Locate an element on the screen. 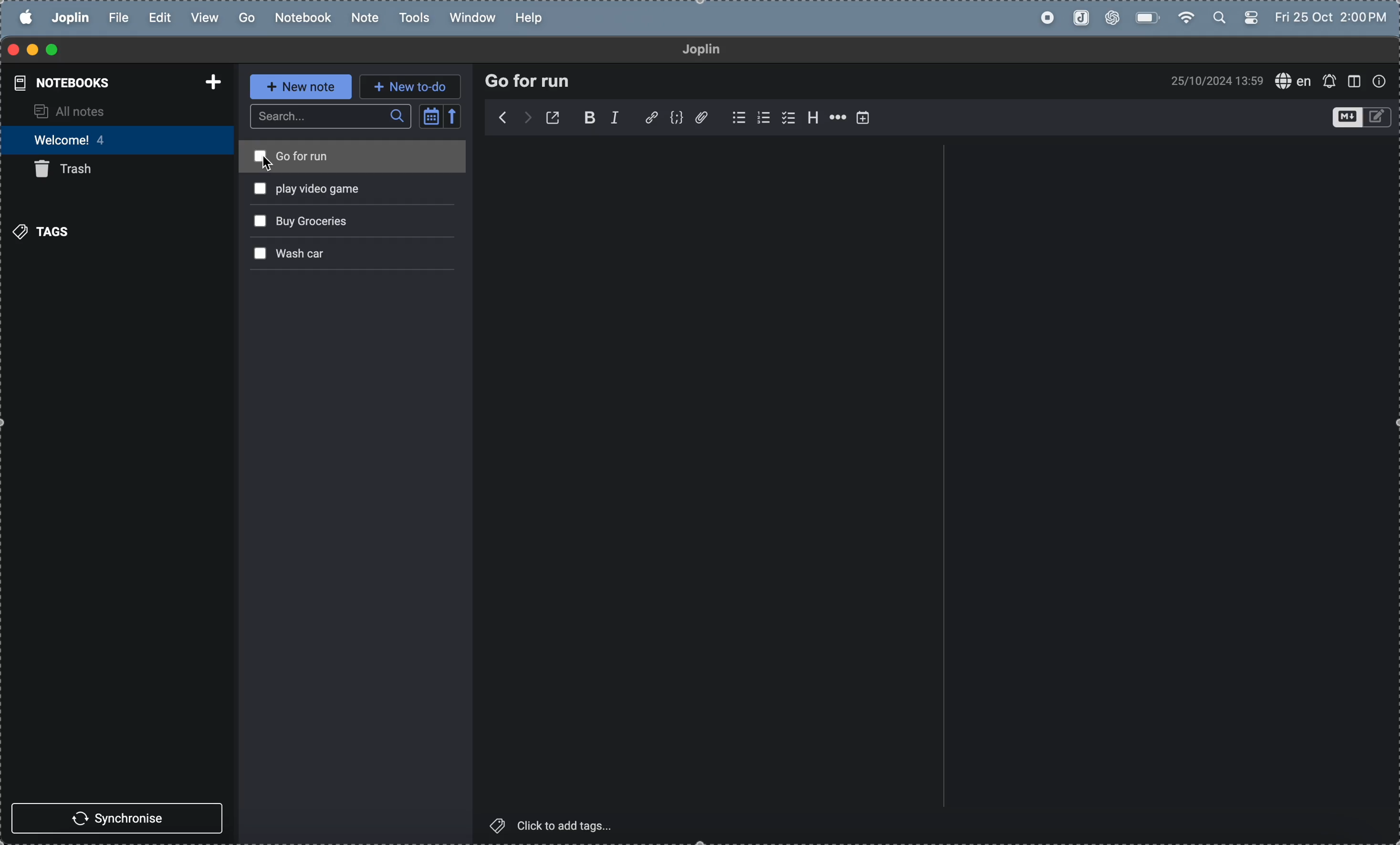  wash car is located at coordinates (327, 251).